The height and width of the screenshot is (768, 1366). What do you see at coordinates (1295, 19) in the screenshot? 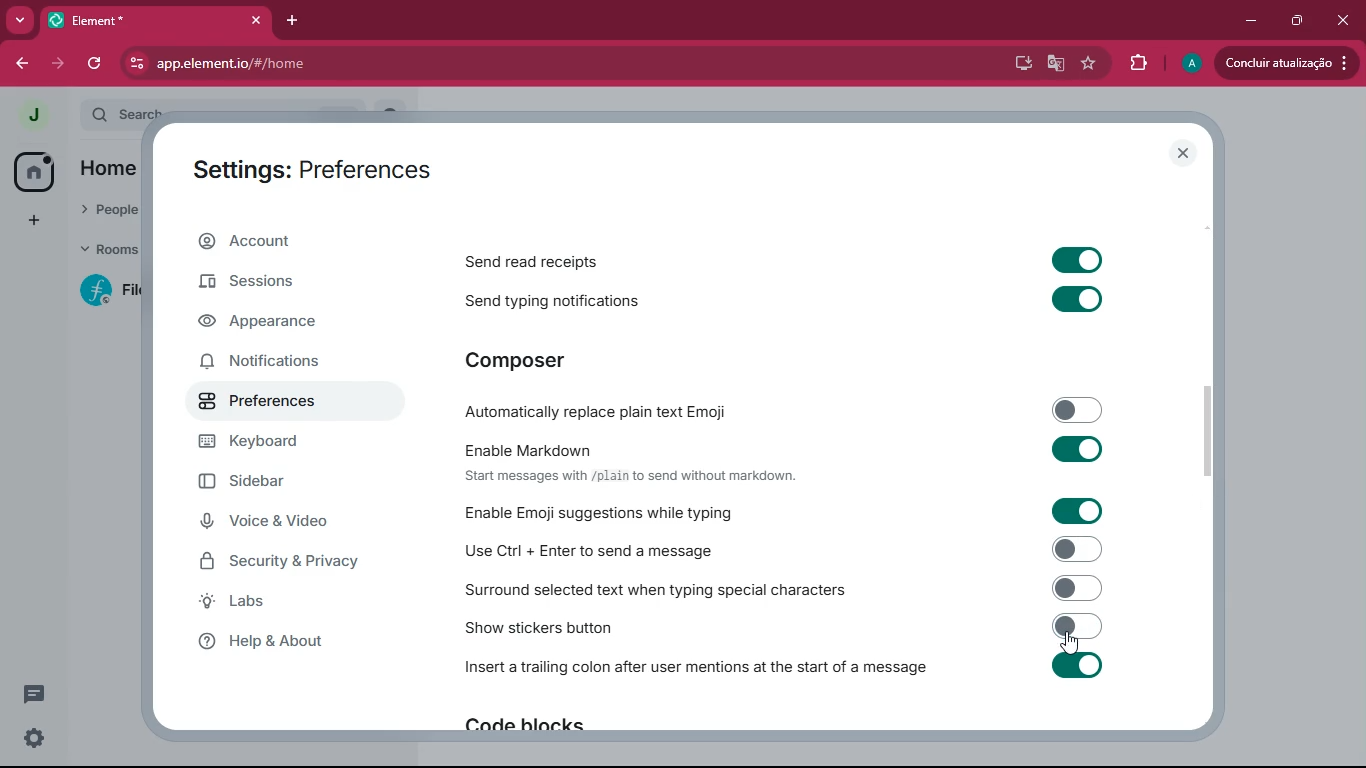
I see `maximize` at bounding box center [1295, 19].